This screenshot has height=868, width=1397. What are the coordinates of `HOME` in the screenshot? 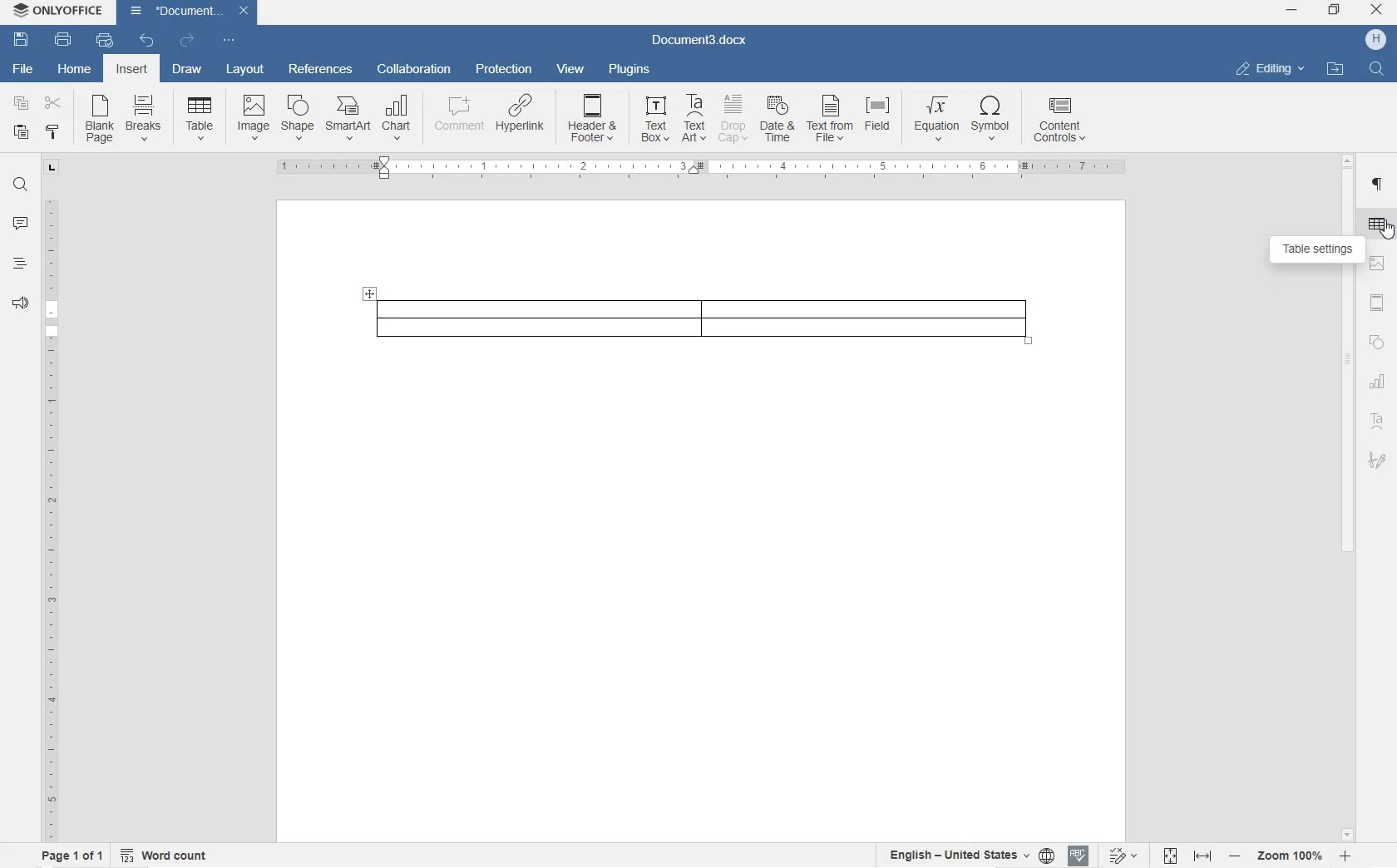 It's located at (76, 67).